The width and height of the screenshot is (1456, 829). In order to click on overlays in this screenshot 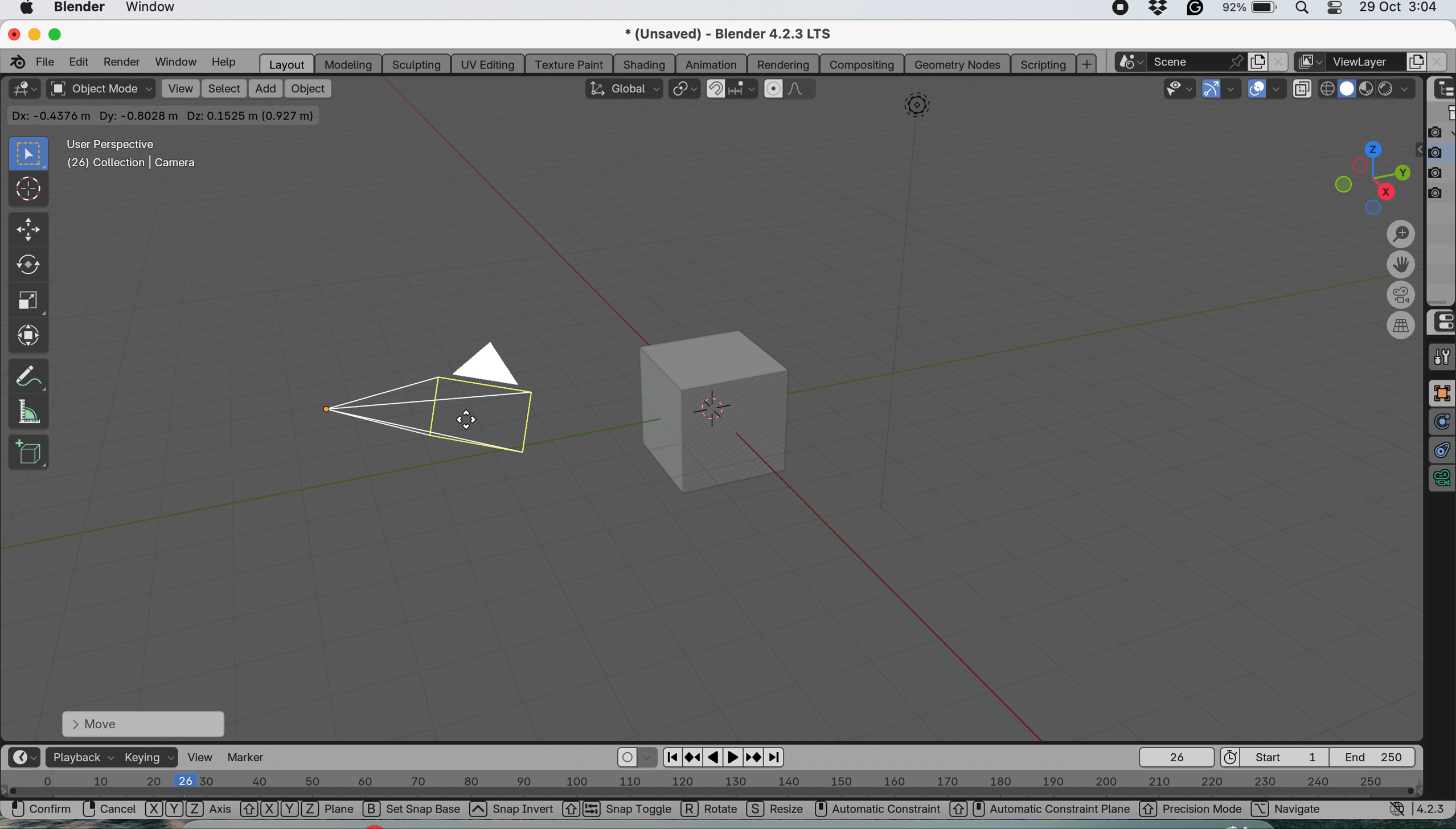, I will do `click(1280, 89)`.